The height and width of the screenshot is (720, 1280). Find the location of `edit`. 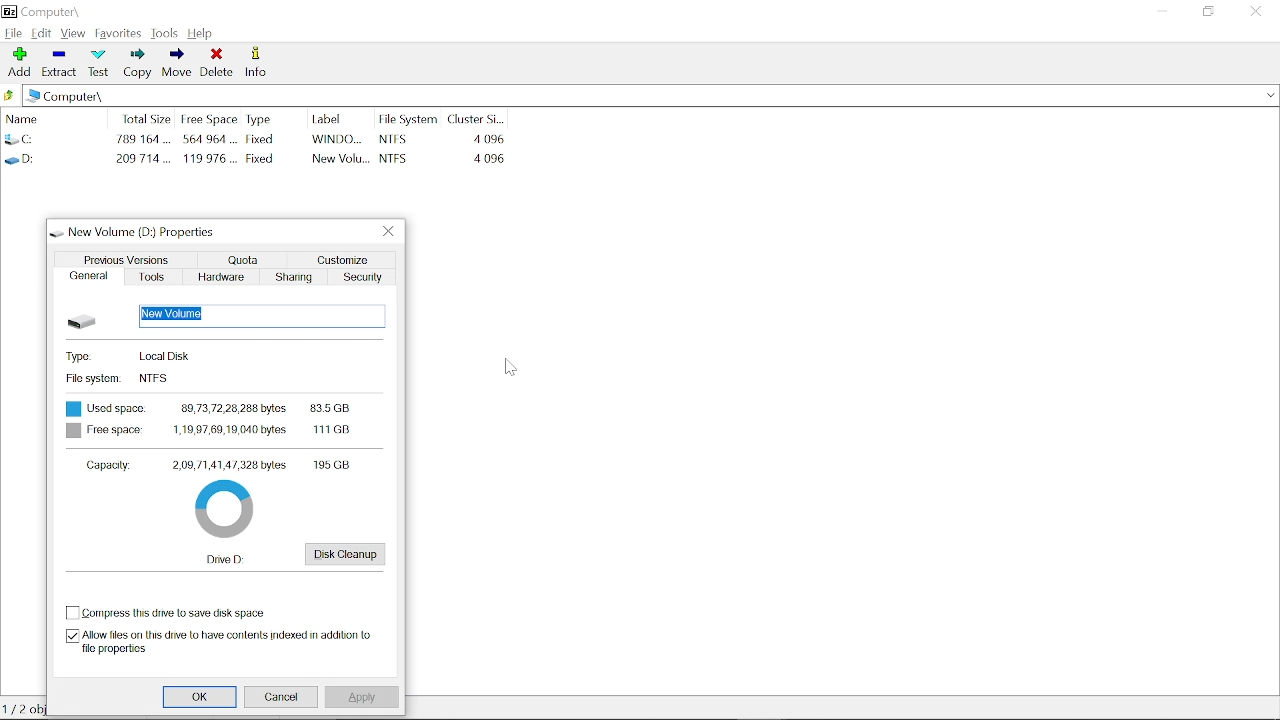

edit is located at coordinates (42, 32).